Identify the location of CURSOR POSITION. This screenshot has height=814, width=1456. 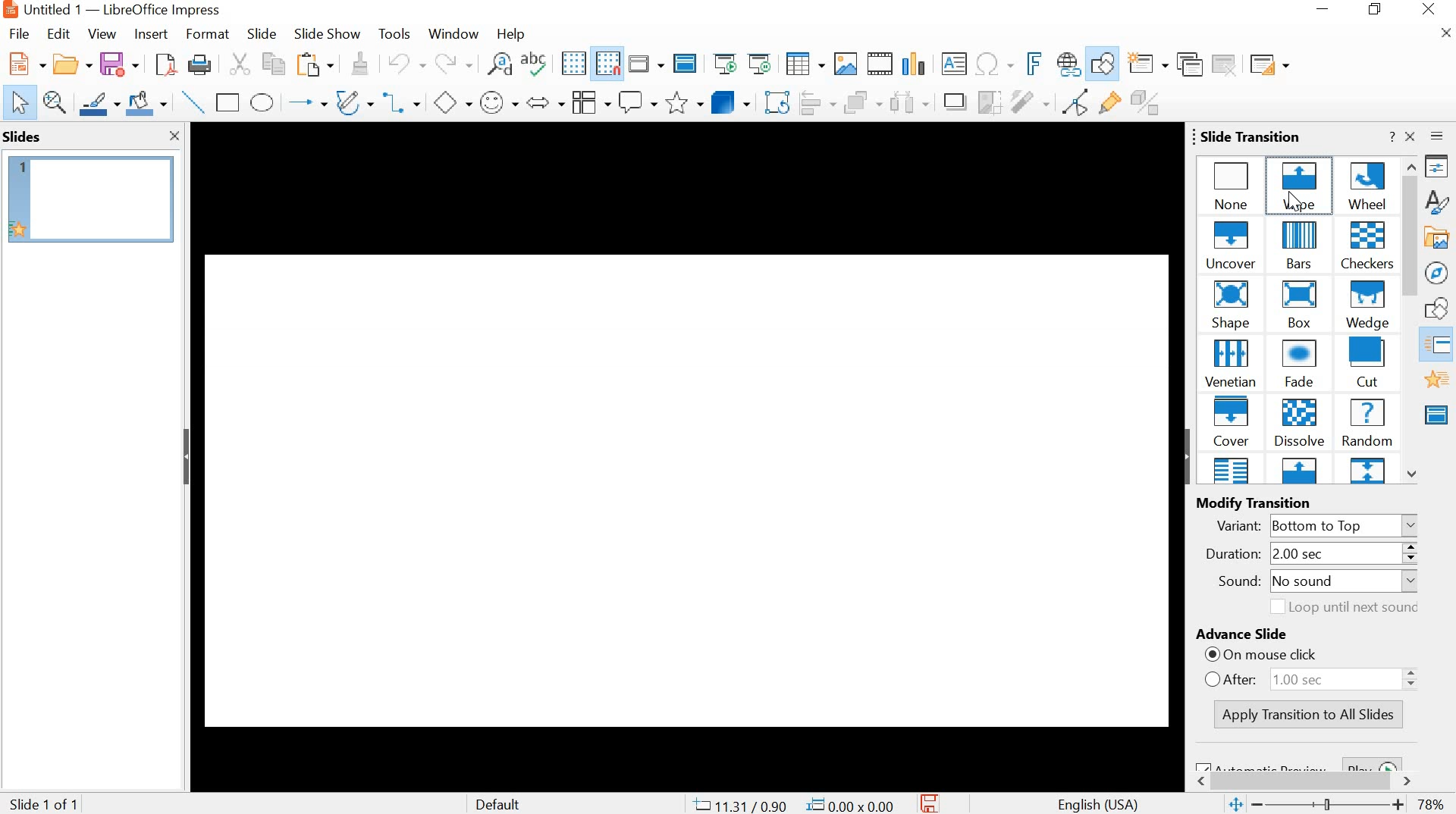
(1298, 202).